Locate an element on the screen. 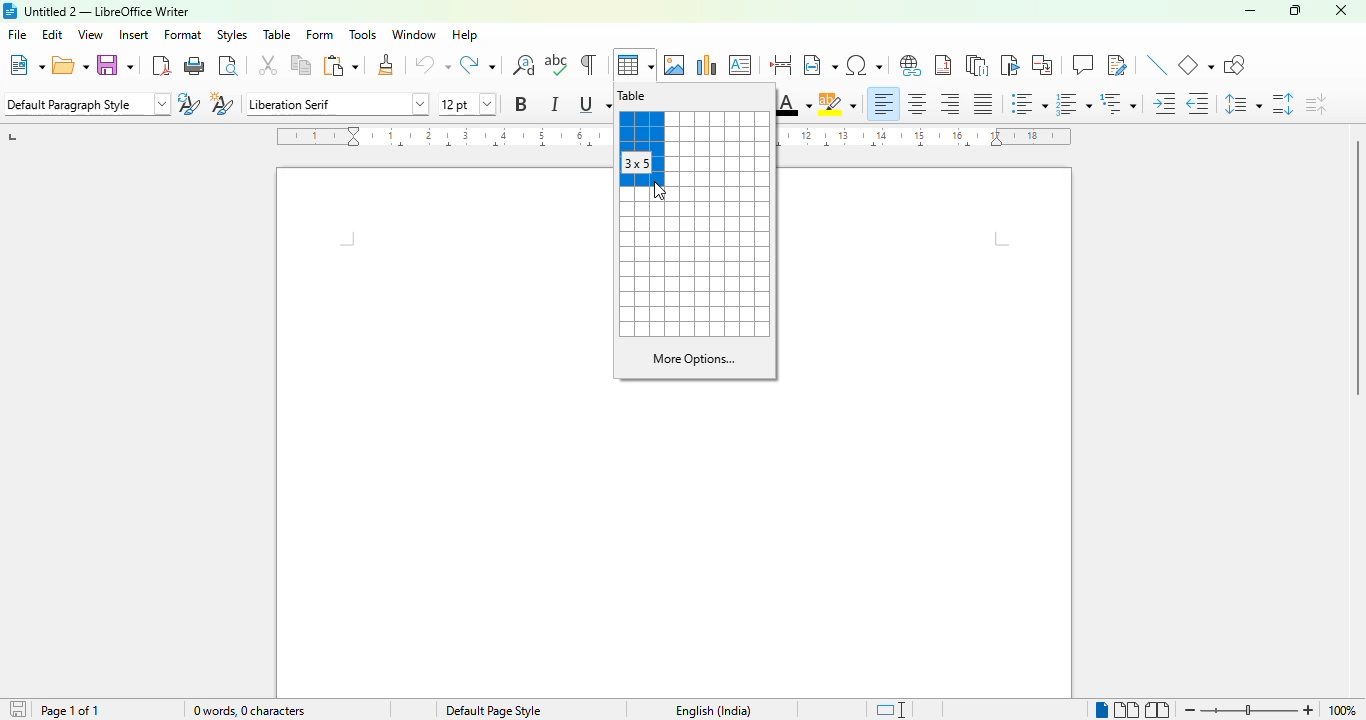 Image resolution: width=1366 pixels, height=720 pixels. insert line is located at coordinates (1159, 64).